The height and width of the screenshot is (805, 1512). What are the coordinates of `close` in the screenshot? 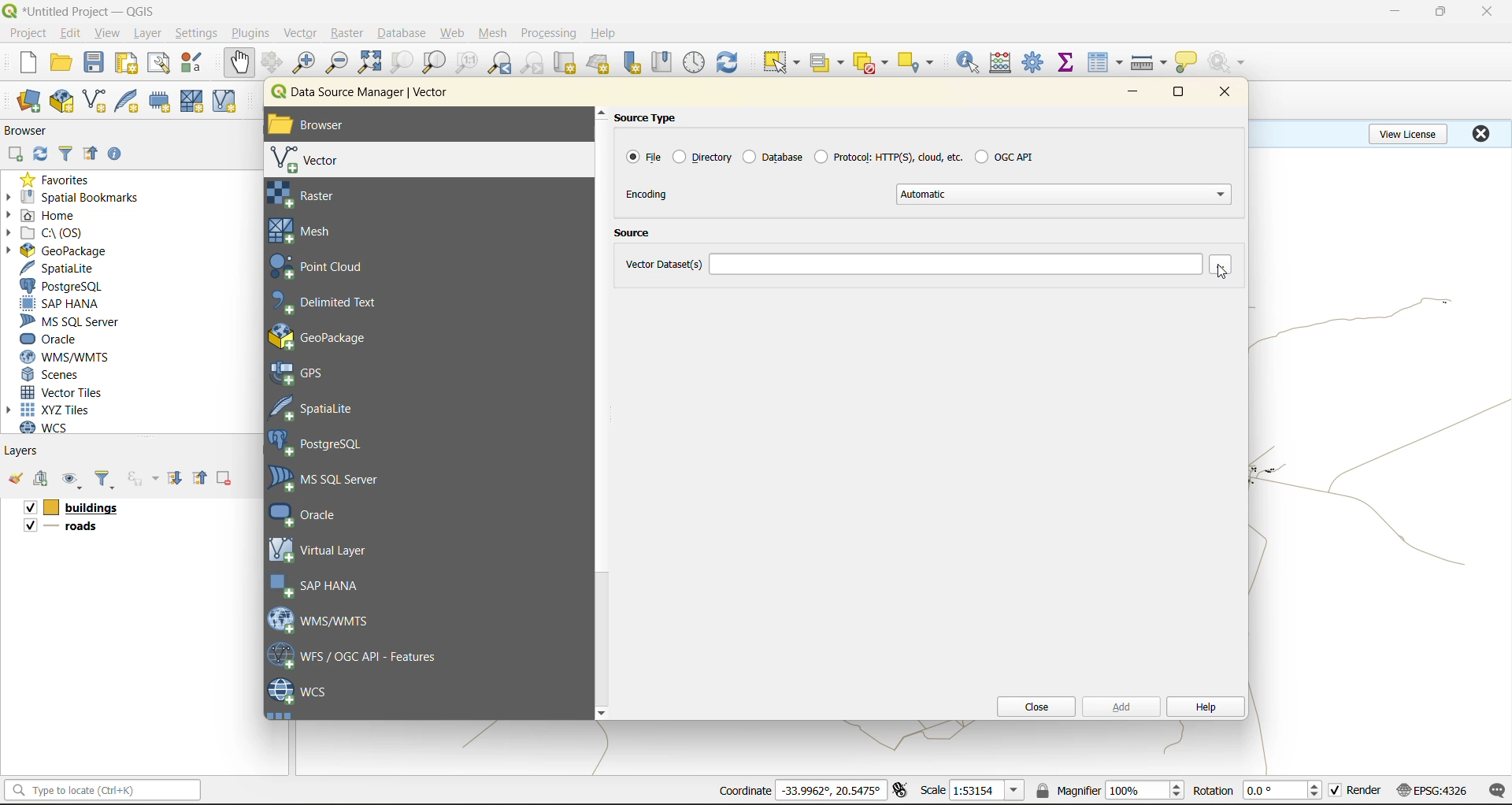 It's located at (1220, 93).